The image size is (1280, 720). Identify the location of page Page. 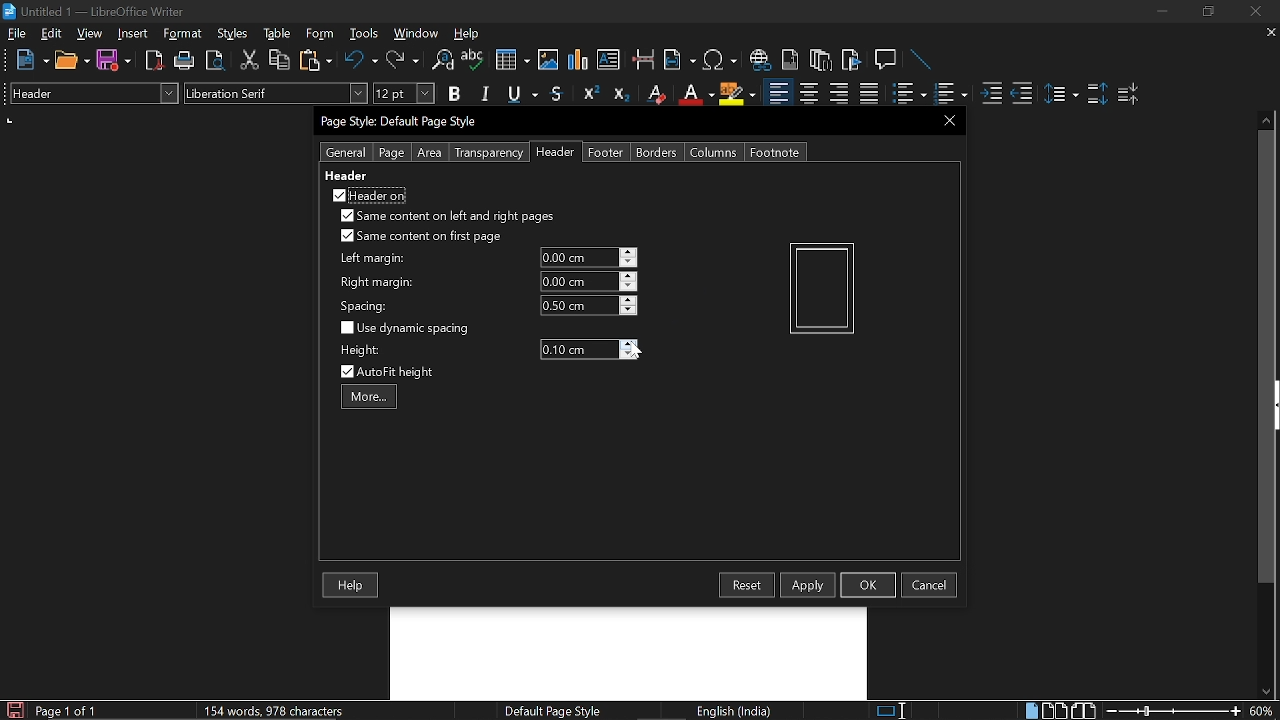
(391, 153).